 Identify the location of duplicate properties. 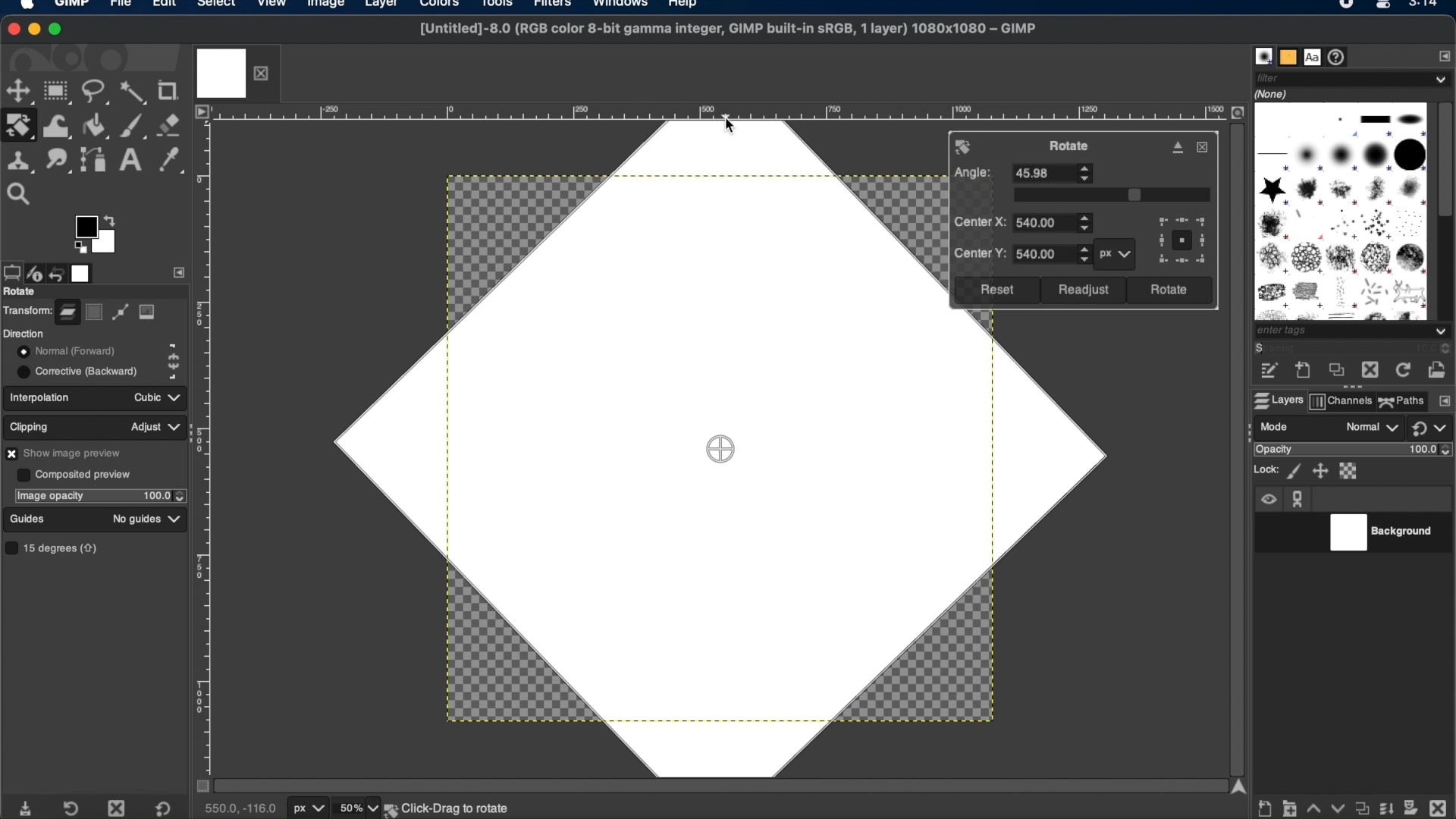
(1360, 805).